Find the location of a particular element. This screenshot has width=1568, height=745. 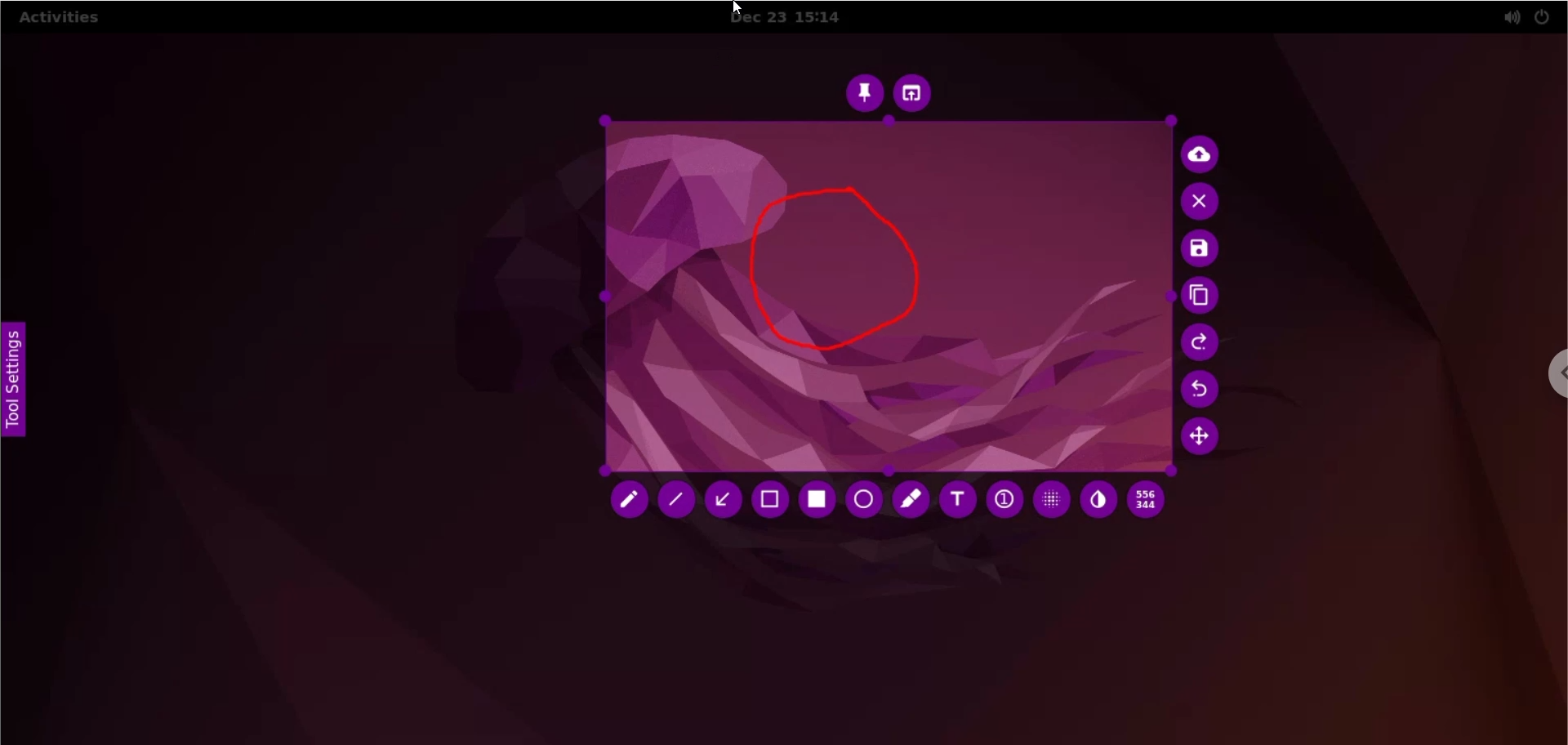

freehand shape is located at coordinates (837, 273).